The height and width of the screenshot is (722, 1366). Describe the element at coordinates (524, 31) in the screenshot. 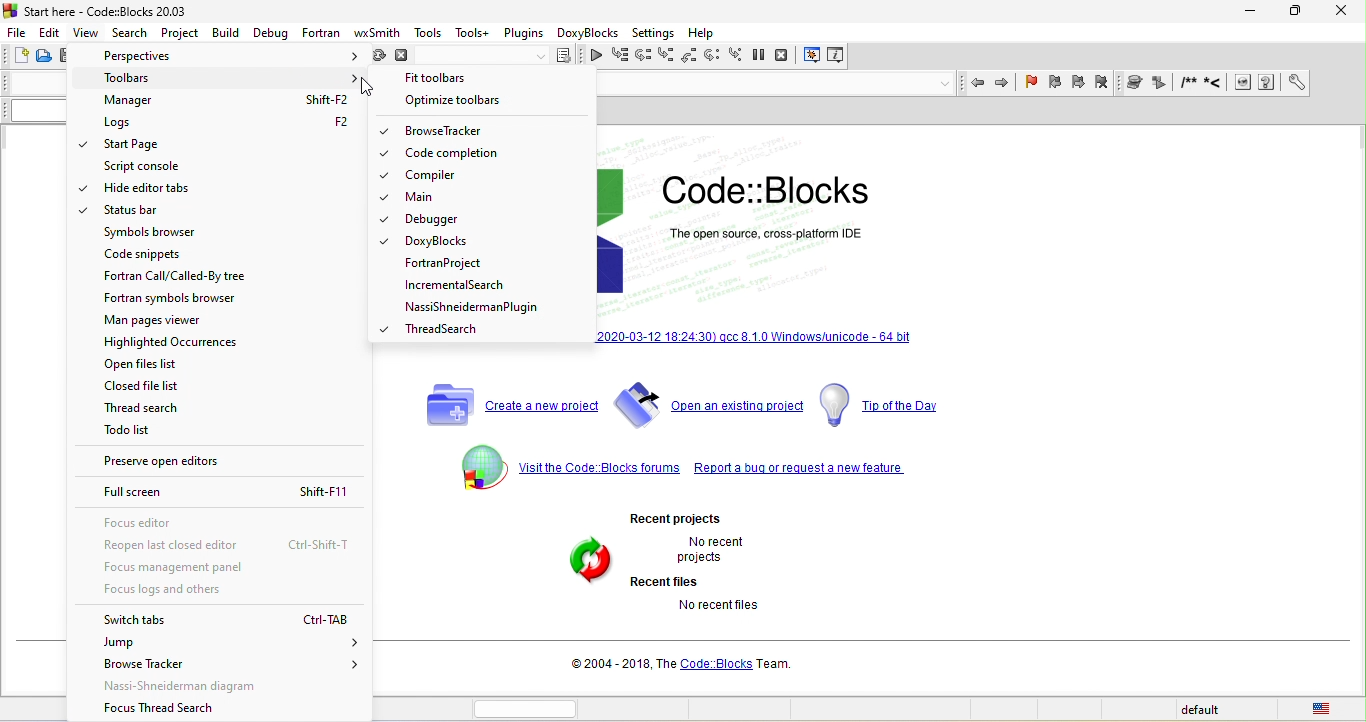

I see `plugins` at that location.